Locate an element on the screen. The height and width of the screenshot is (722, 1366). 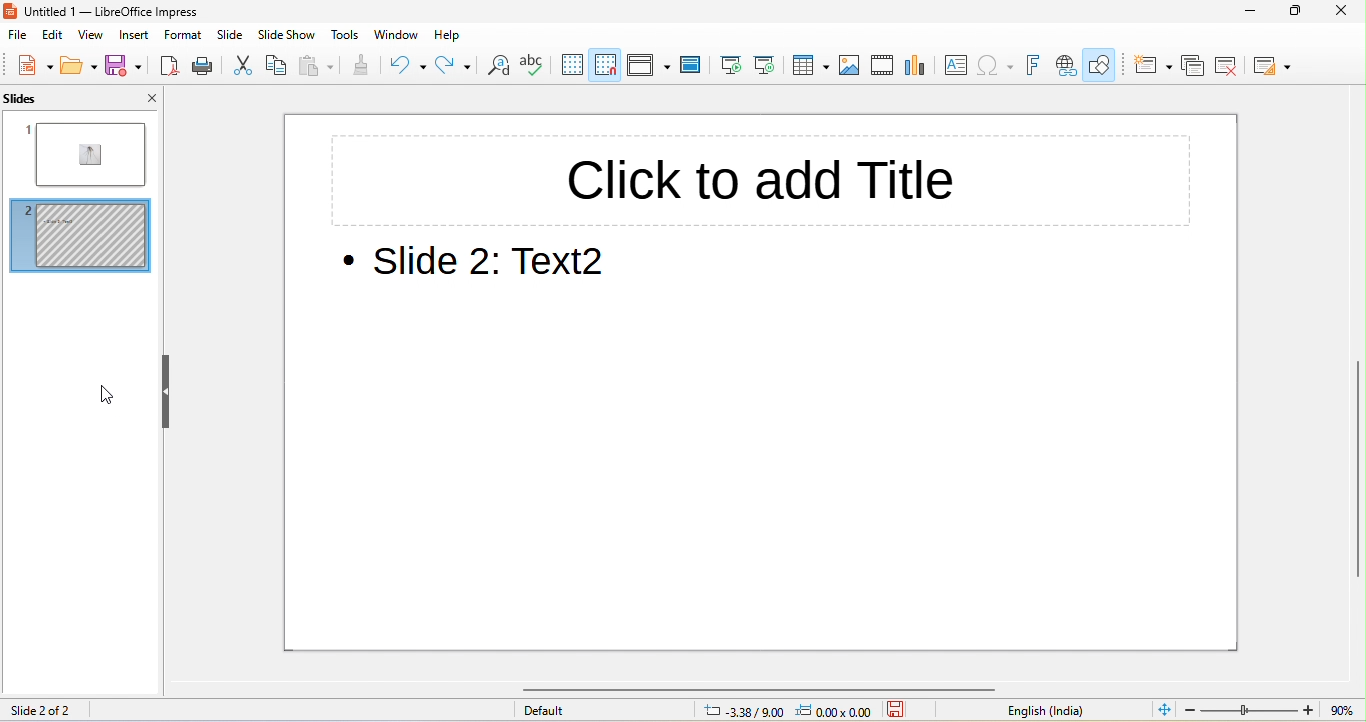
delete slide is located at coordinates (1236, 67).